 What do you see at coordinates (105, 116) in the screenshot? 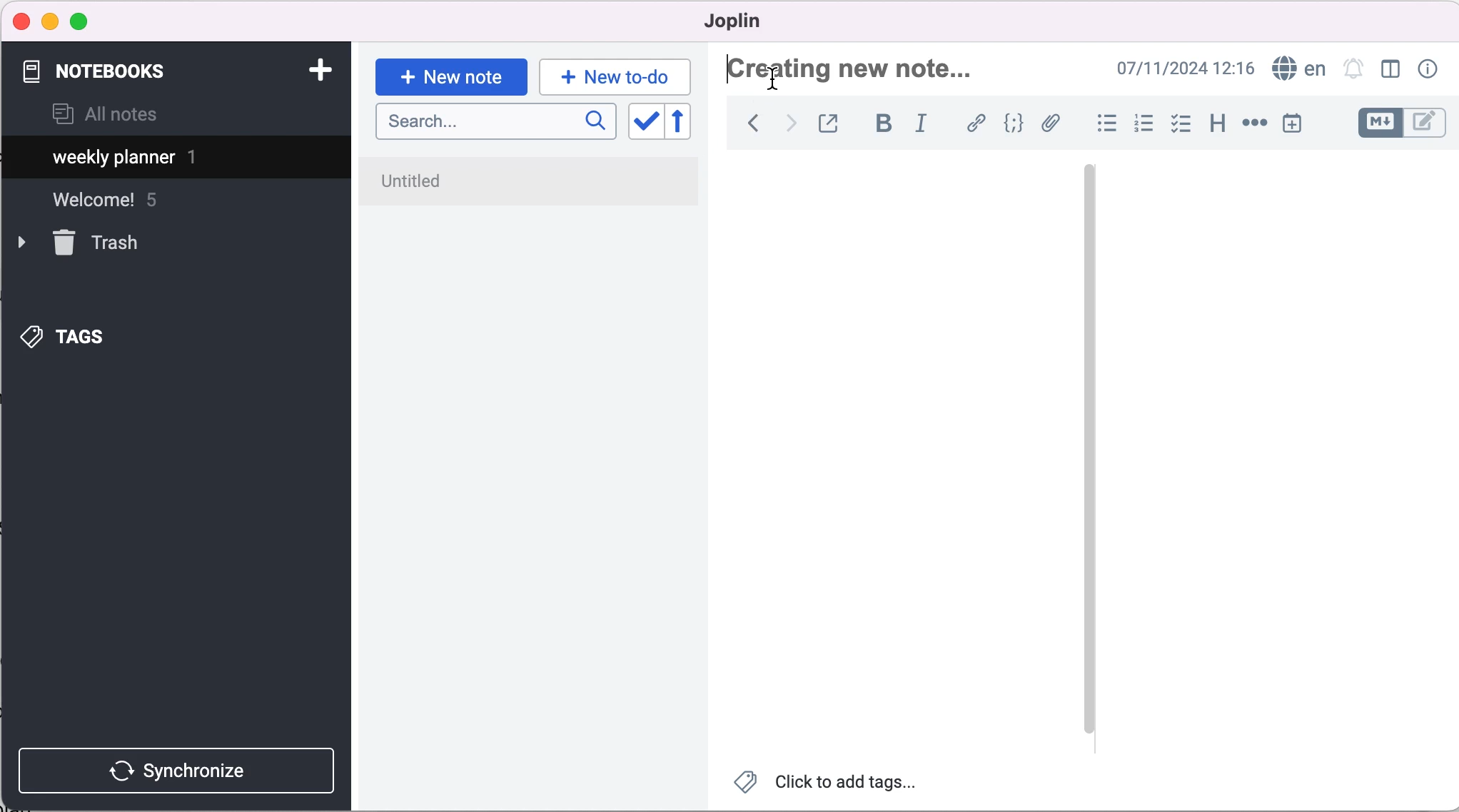
I see `all notes` at bounding box center [105, 116].